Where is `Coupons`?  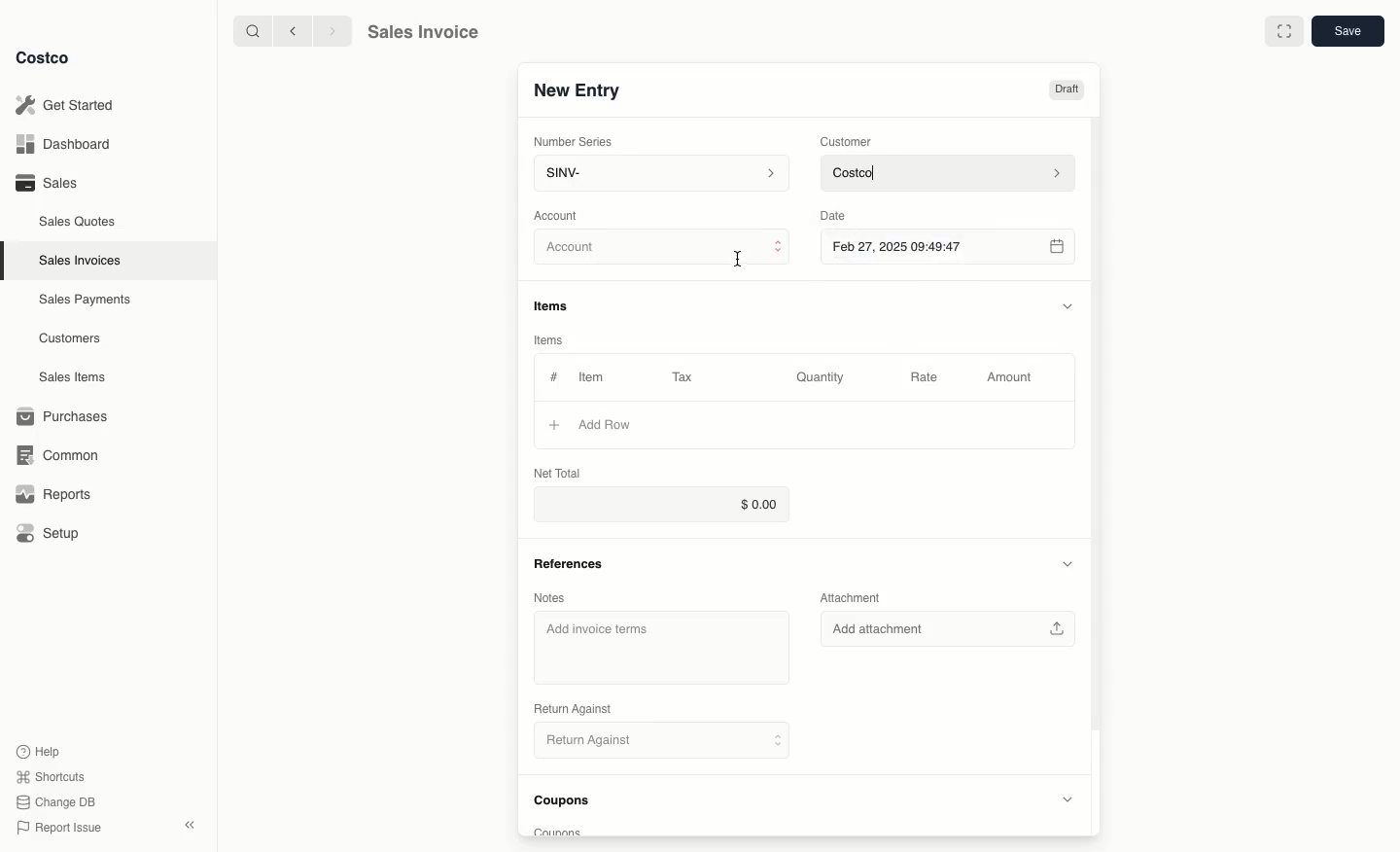
Coupons is located at coordinates (568, 803).